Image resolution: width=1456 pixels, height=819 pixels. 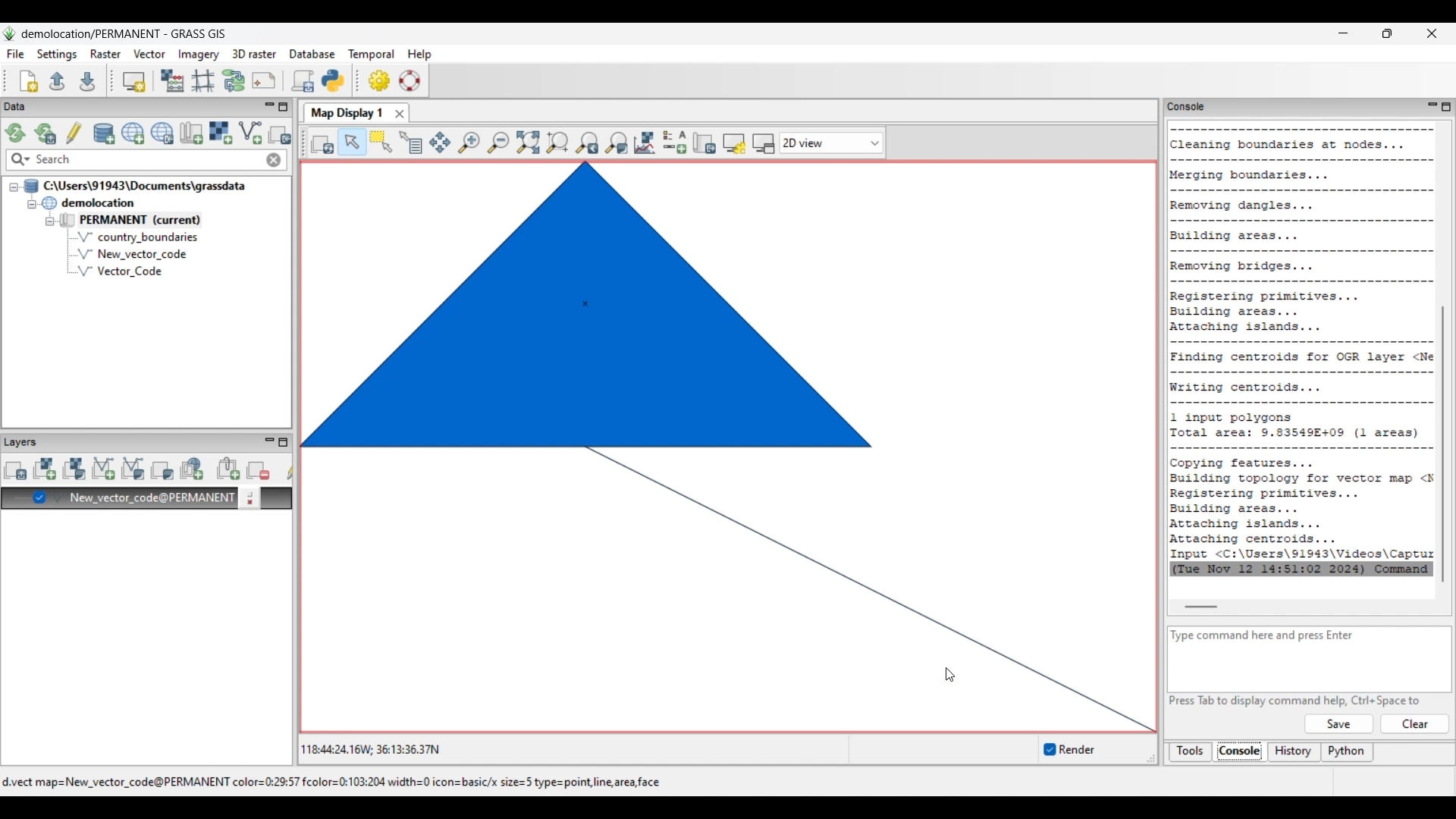 I want to click on Import vector data, current selection, so click(x=250, y=133).